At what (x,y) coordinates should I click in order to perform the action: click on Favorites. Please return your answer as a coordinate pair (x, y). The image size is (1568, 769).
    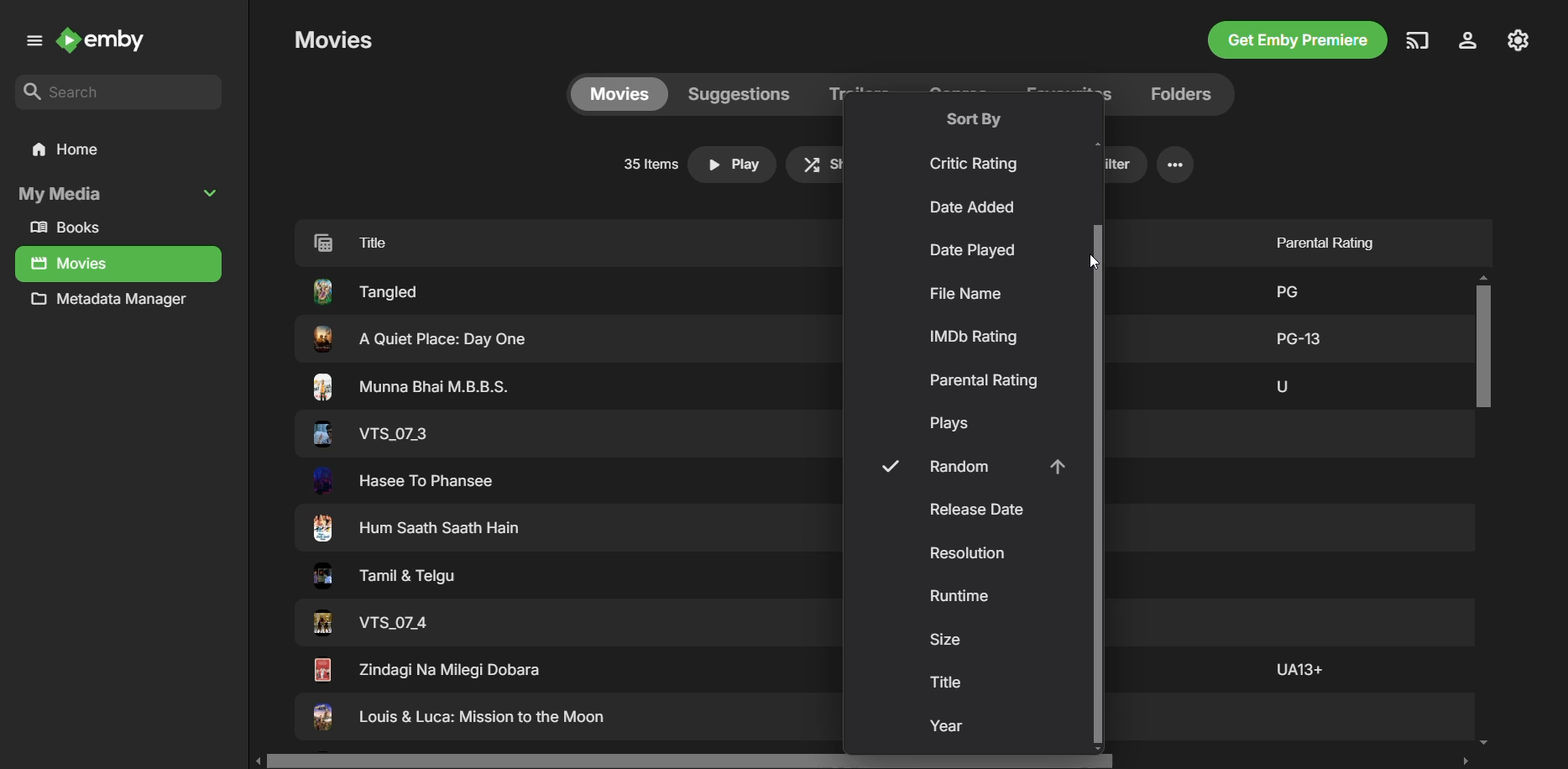
    Looking at the image, I should click on (1067, 92).